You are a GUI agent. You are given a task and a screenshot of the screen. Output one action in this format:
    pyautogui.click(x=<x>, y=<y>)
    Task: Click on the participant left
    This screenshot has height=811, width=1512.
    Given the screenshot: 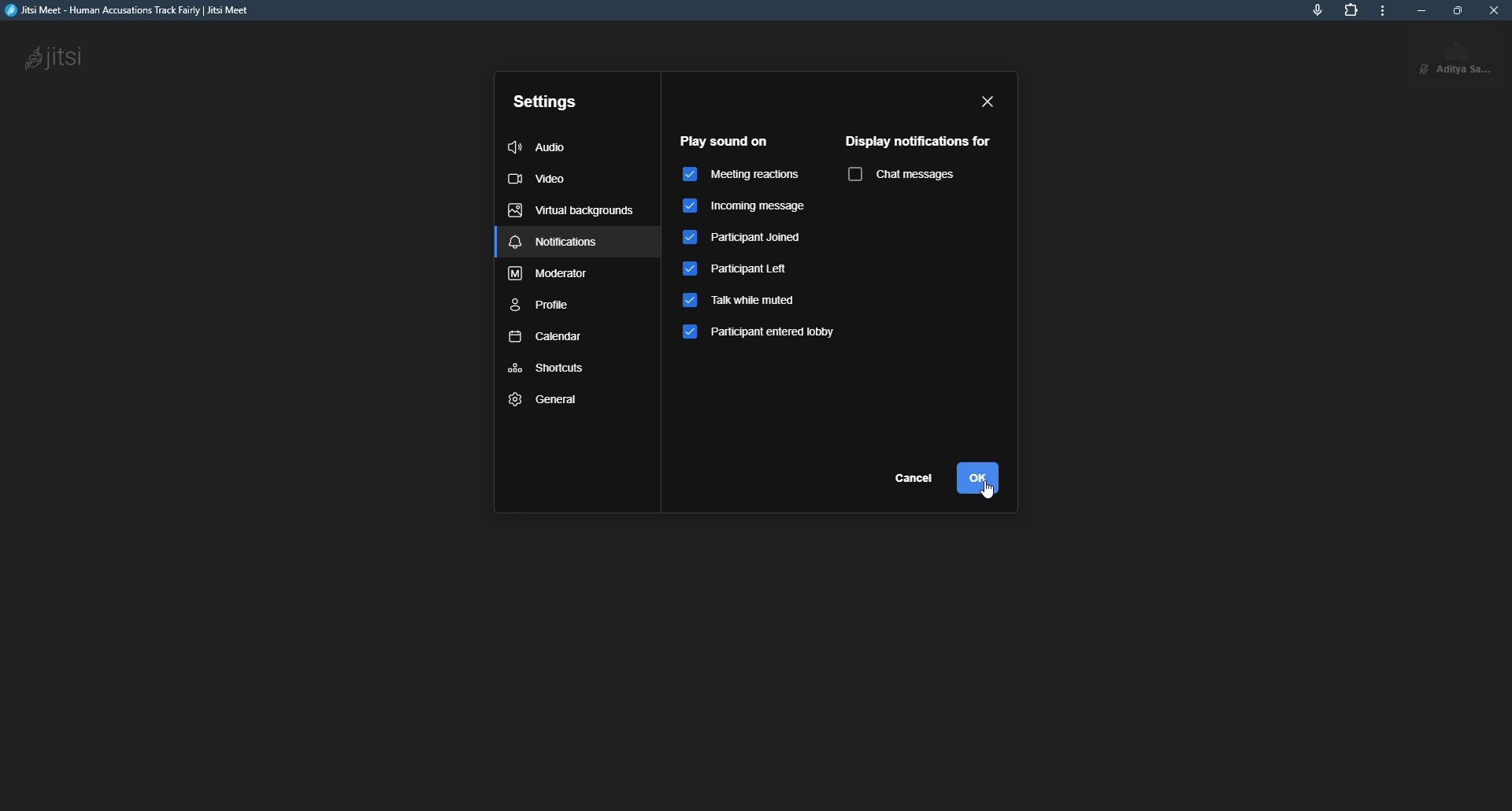 What is the action you would take?
    pyautogui.click(x=739, y=269)
    